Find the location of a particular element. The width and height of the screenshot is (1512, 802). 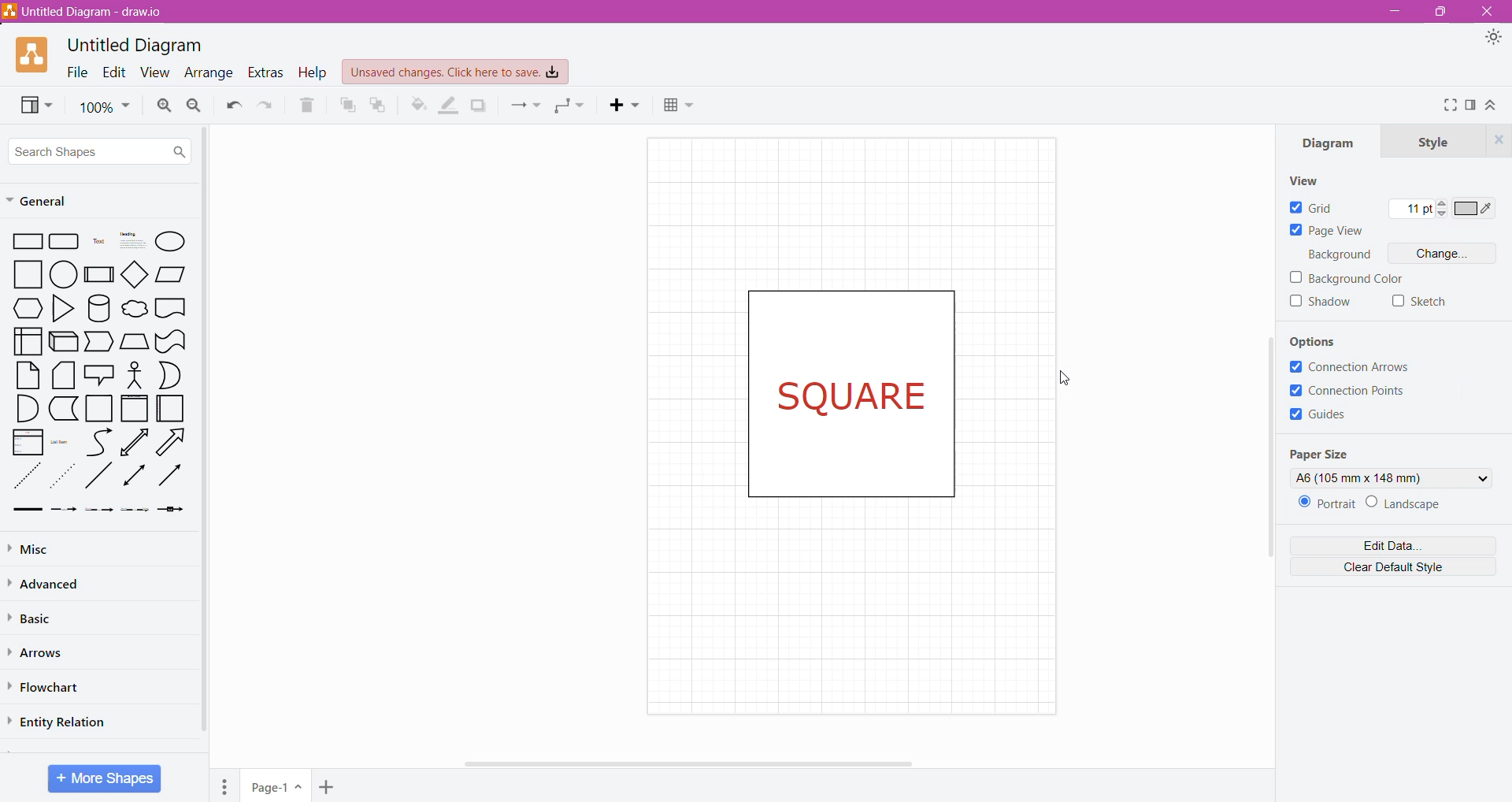

Insert is located at coordinates (620, 104).